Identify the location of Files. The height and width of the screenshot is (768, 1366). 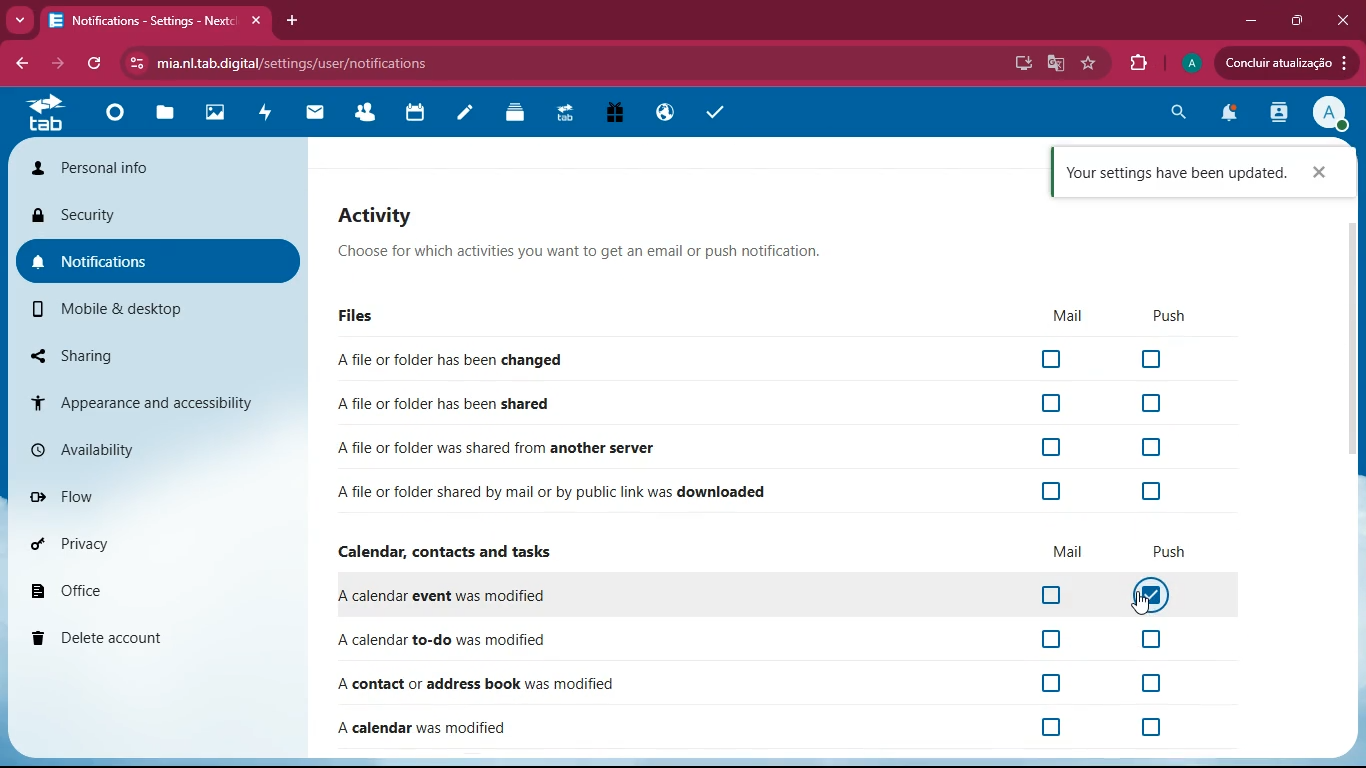
(353, 317).